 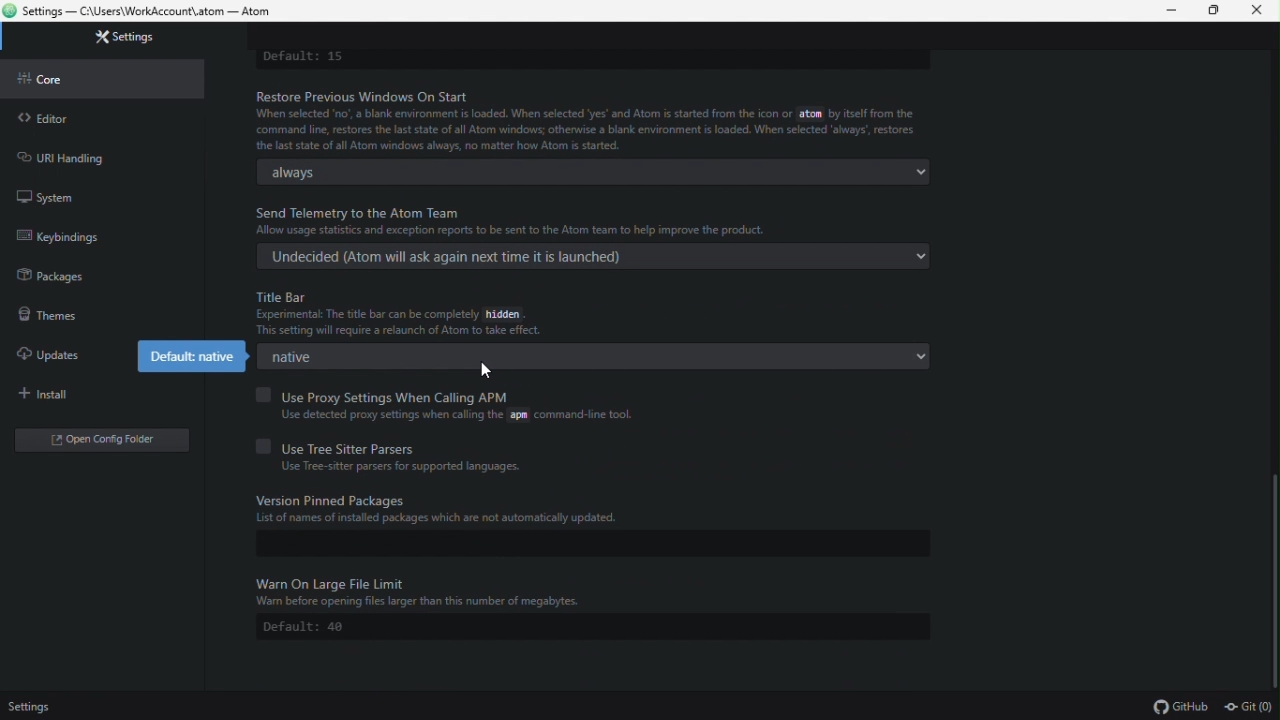 I want to click on restore, so click(x=1215, y=11).